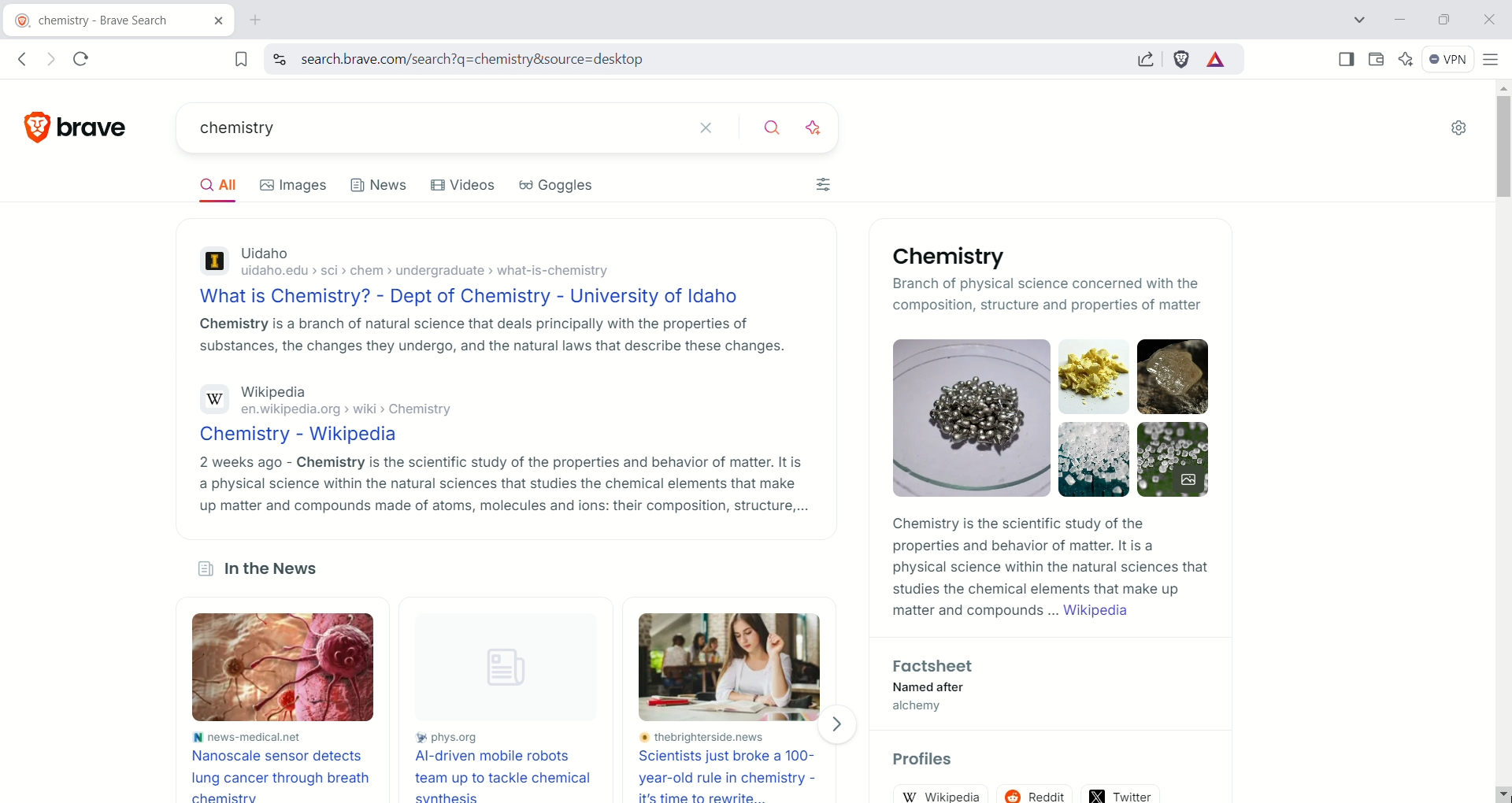 This screenshot has height=803, width=1512. Describe the element at coordinates (224, 187) in the screenshot. I see `All` at that location.